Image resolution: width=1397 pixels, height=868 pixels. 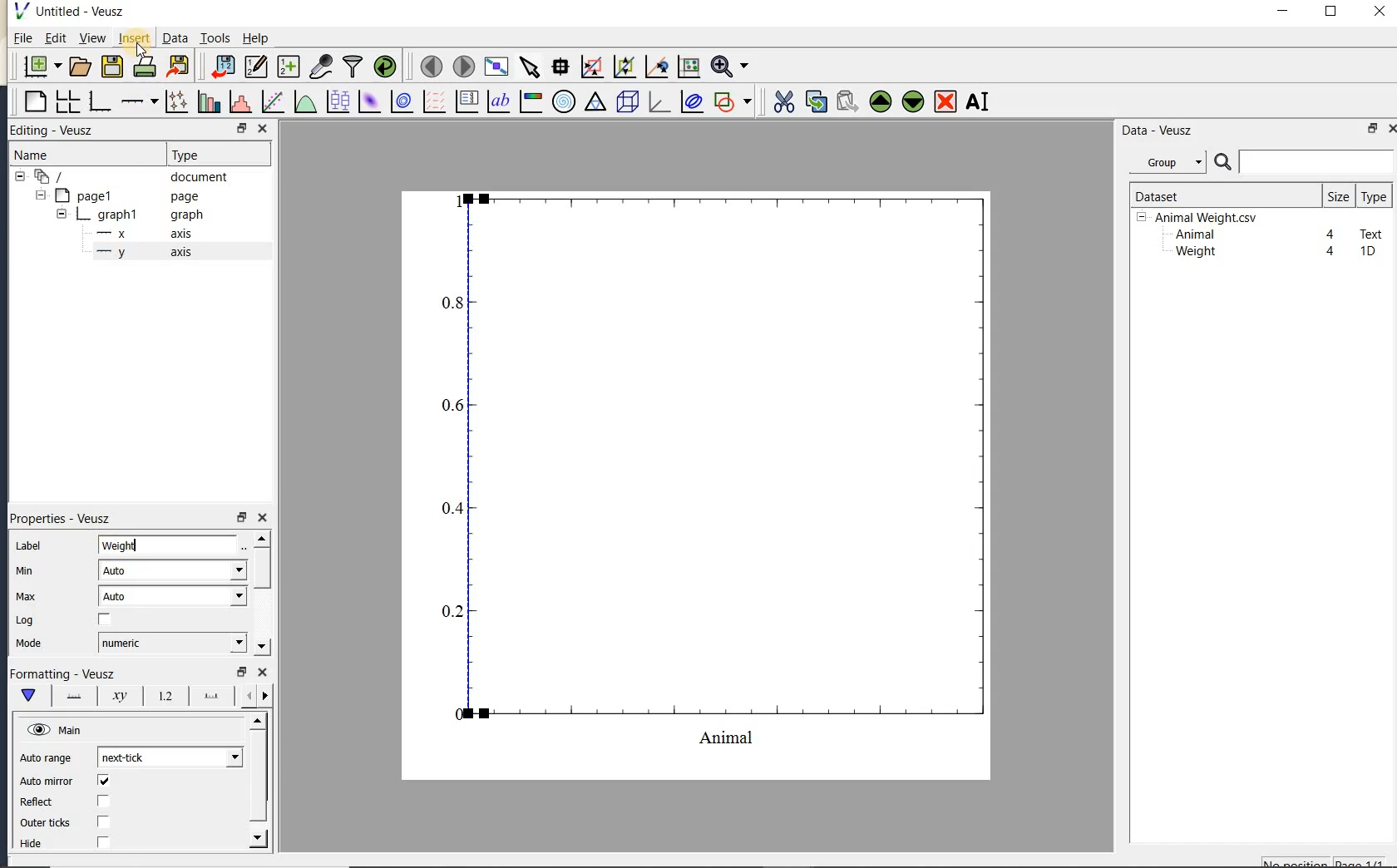 I want to click on arrange graphs in a grid, so click(x=67, y=101).